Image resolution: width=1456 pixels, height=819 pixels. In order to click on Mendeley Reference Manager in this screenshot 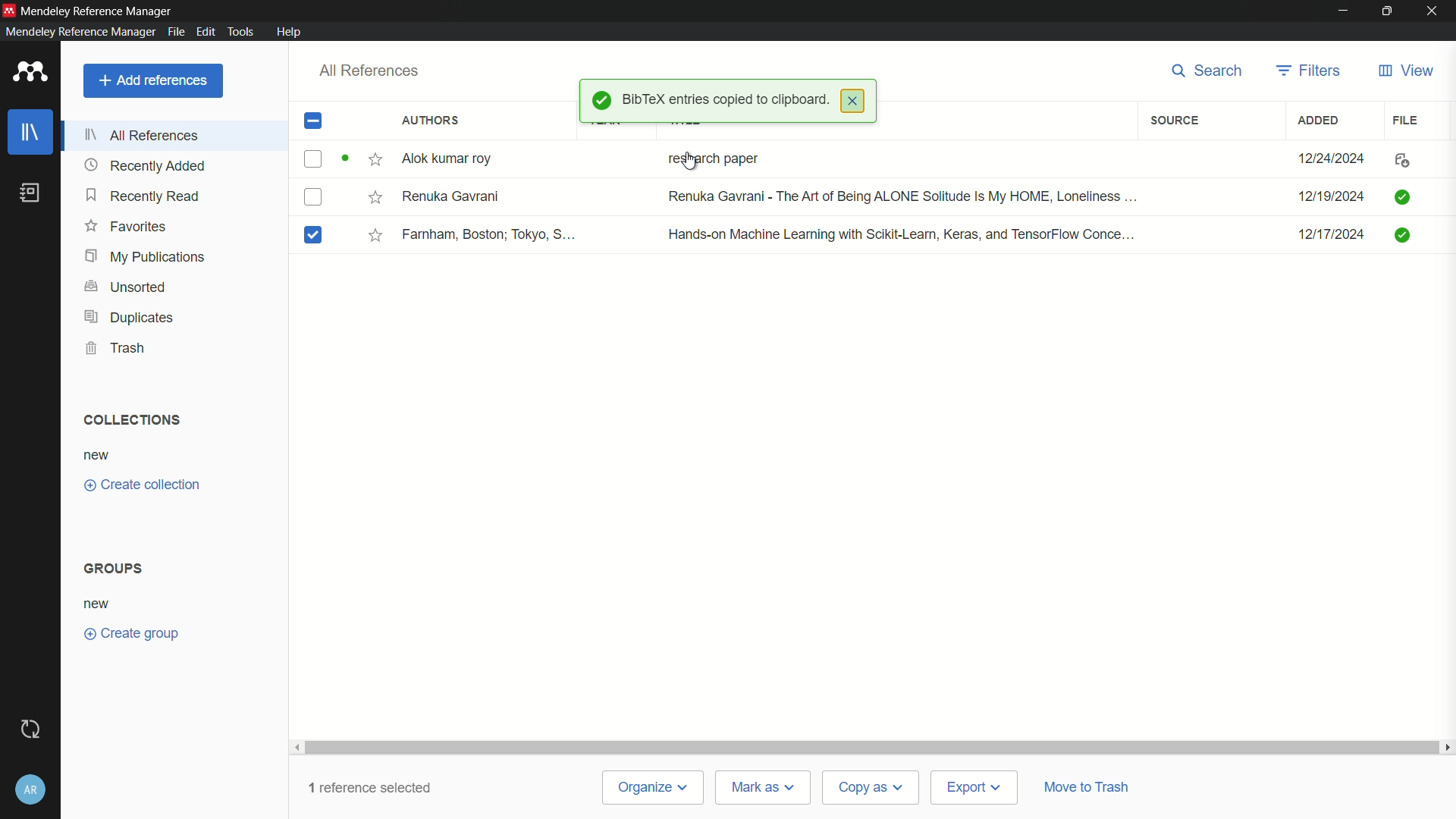, I will do `click(77, 32)`.